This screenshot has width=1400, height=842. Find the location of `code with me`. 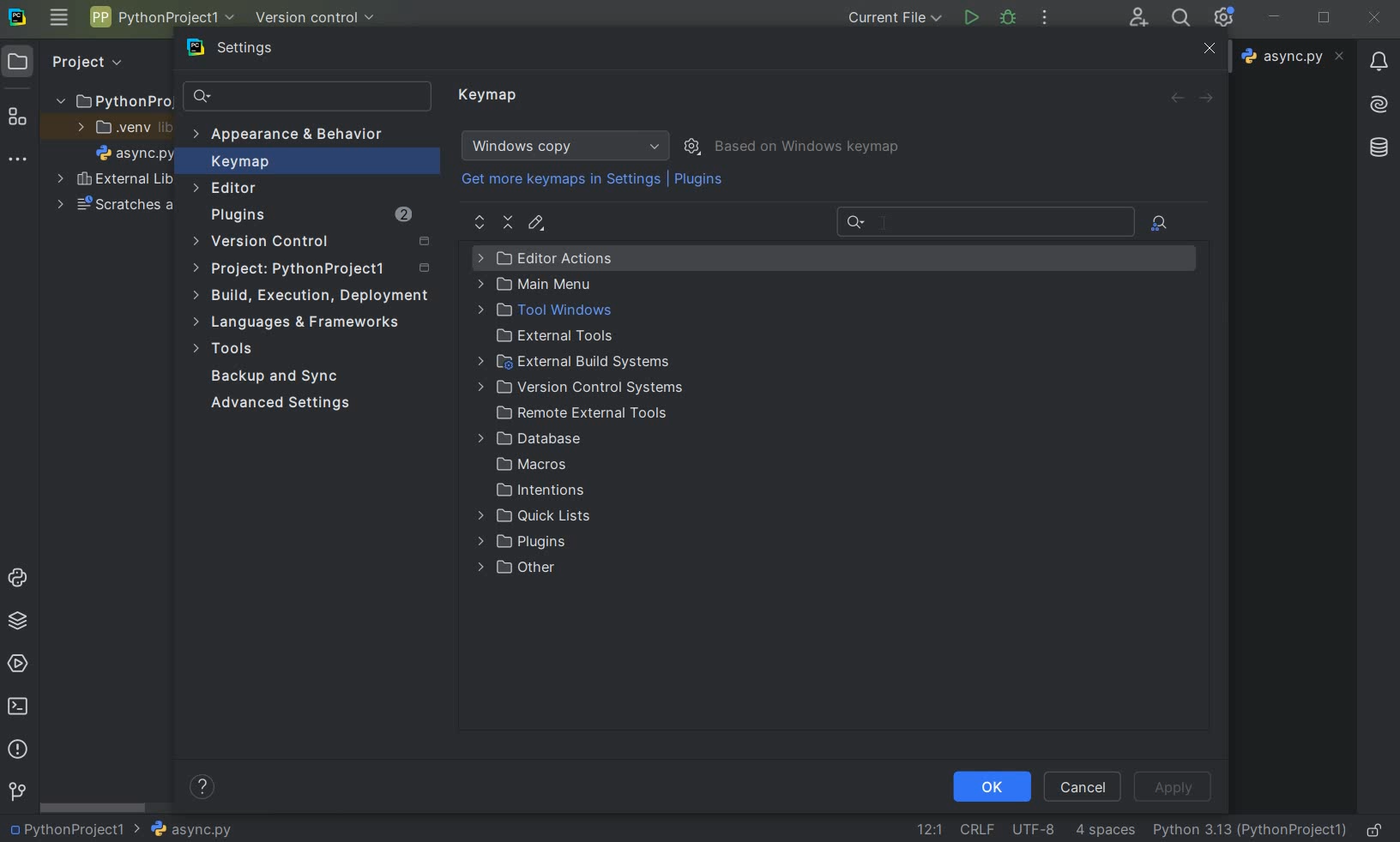

code with me is located at coordinates (1138, 16).